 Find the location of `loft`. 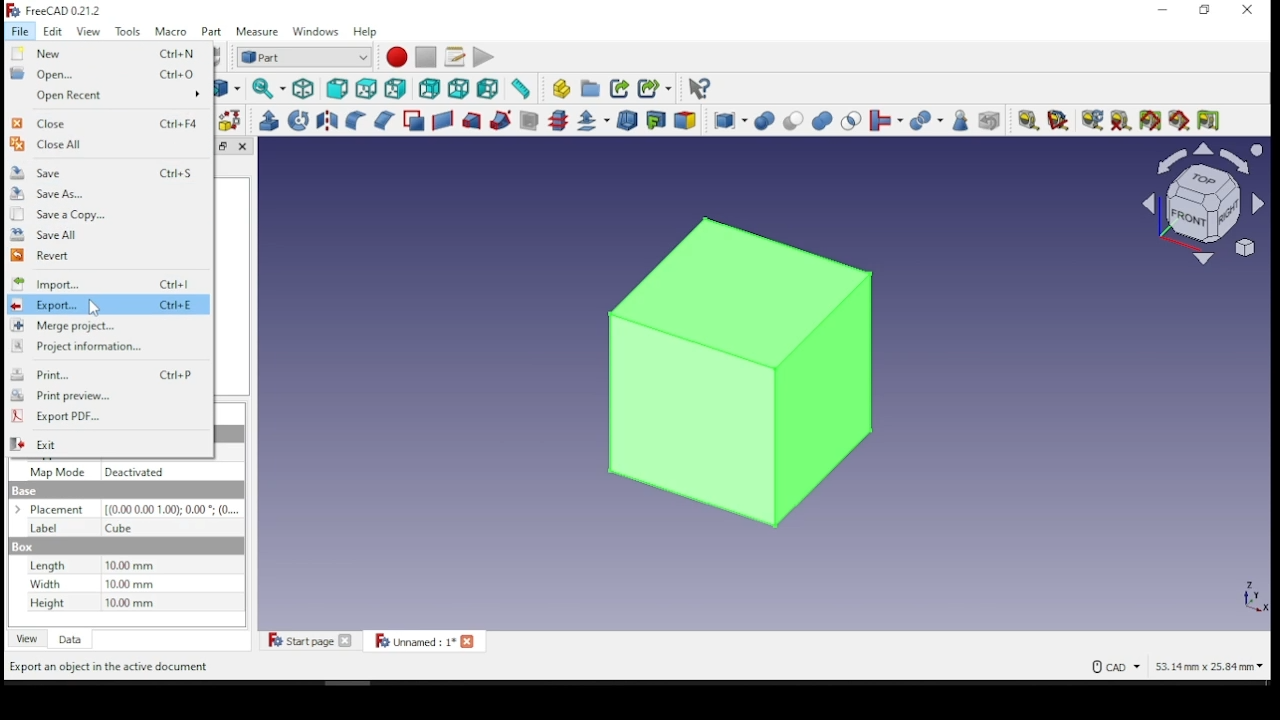

loft is located at coordinates (472, 122).